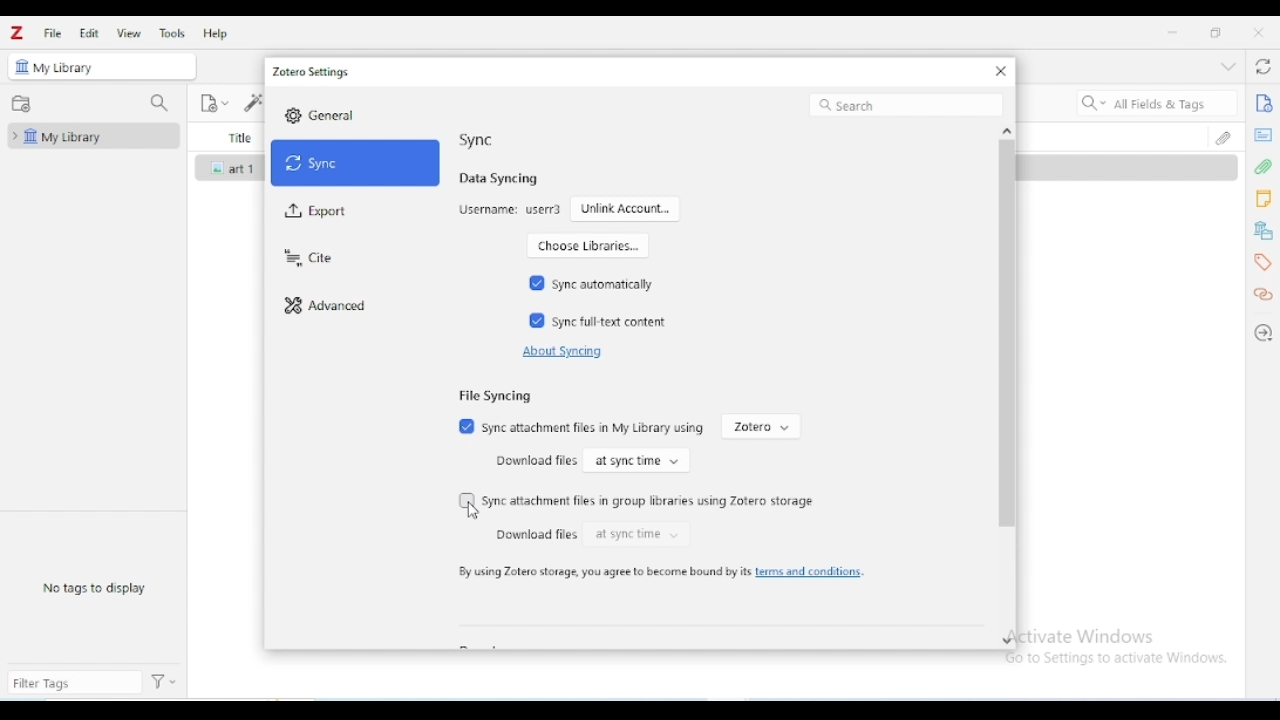 The image size is (1280, 720). Describe the element at coordinates (251, 102) in the screenshot. I see `add item(s) by identifier` at that location.